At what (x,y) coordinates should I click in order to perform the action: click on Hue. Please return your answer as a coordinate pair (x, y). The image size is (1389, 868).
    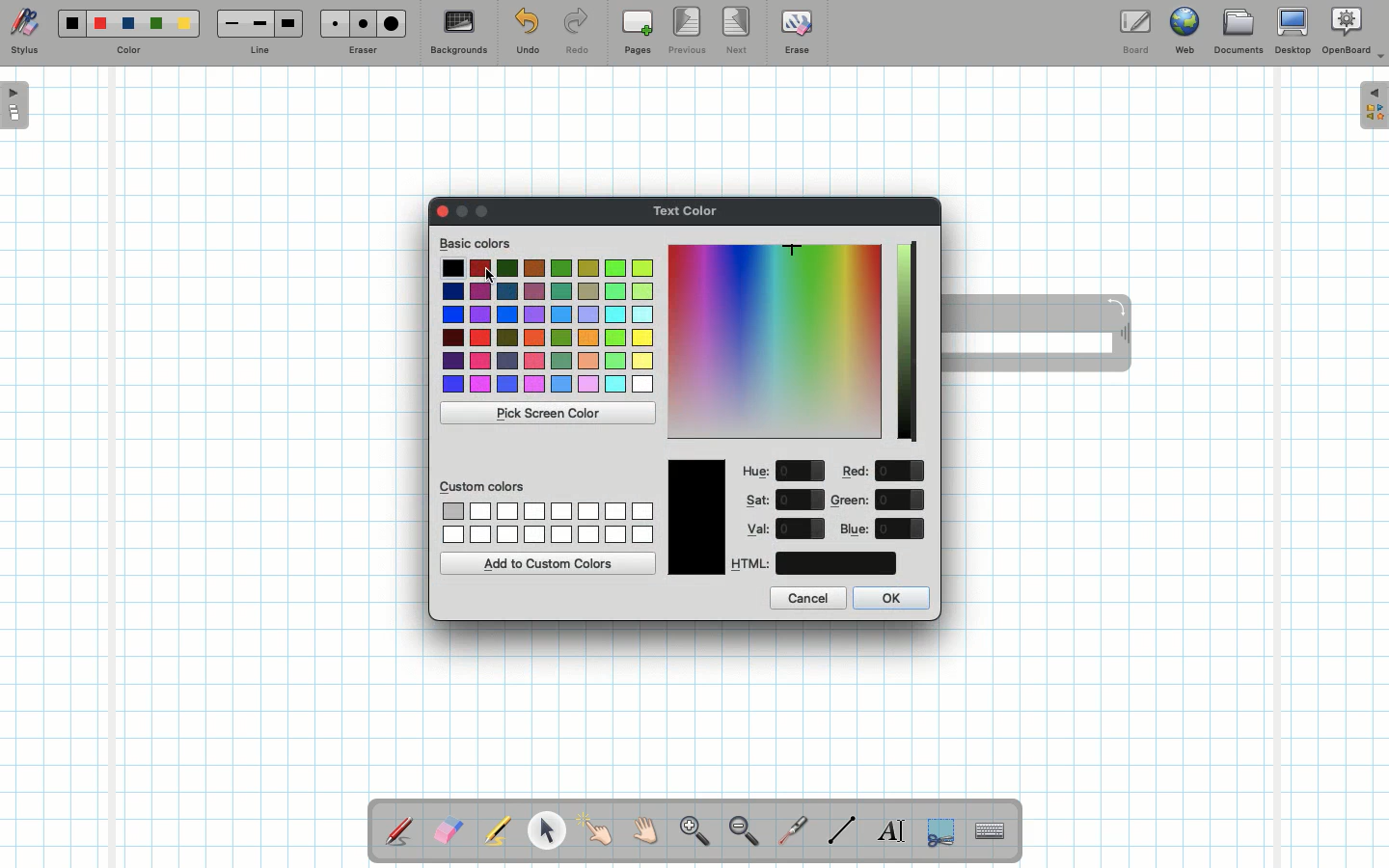
    Looking at the image, I should click on (757, 472).